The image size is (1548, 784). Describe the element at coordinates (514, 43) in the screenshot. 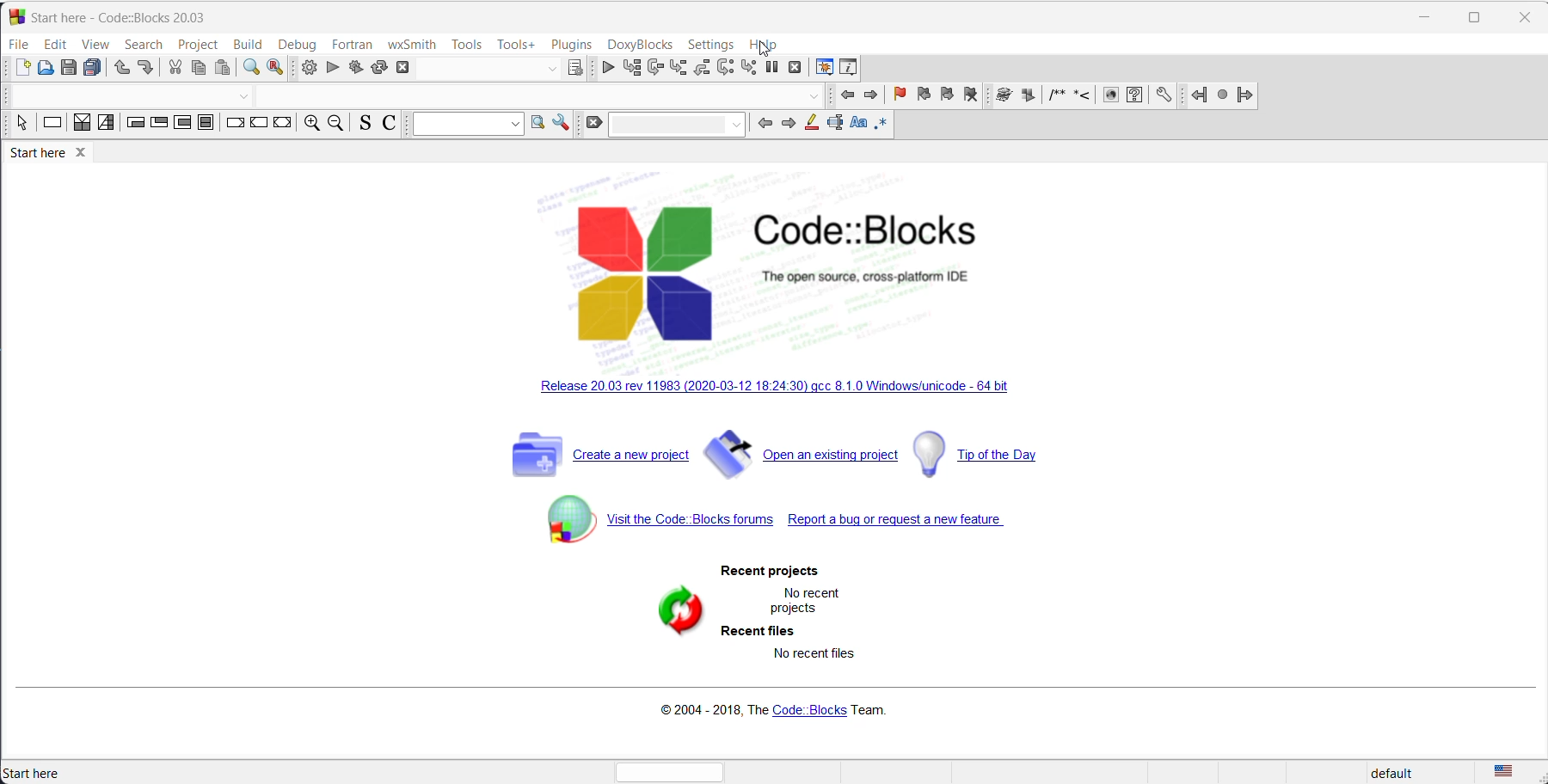

I see `tools+` at that location.